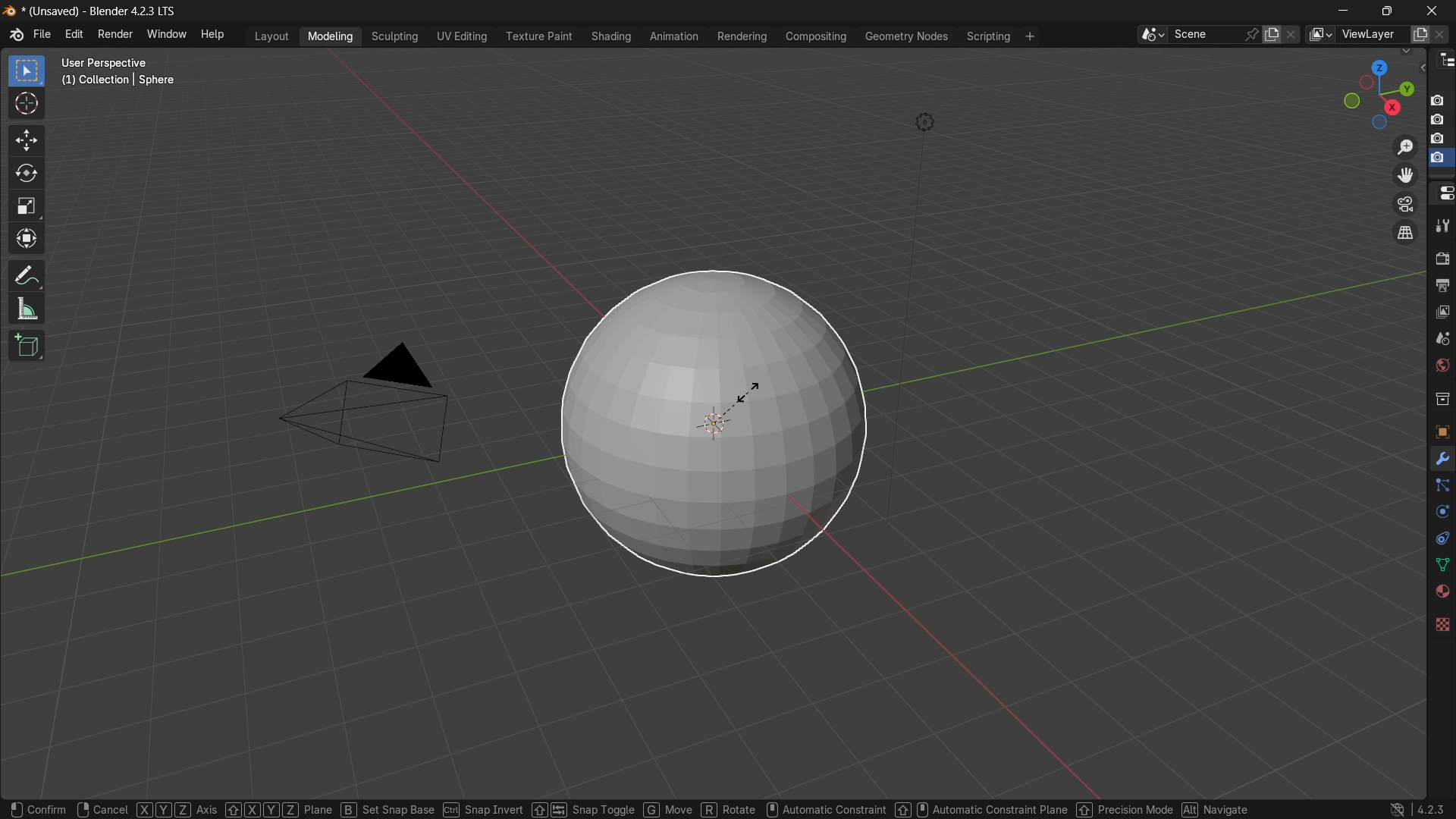  Describe the element at coordinates (1370, 95) in the screenshot. I see `rotate or preset viewpoint` at that location.